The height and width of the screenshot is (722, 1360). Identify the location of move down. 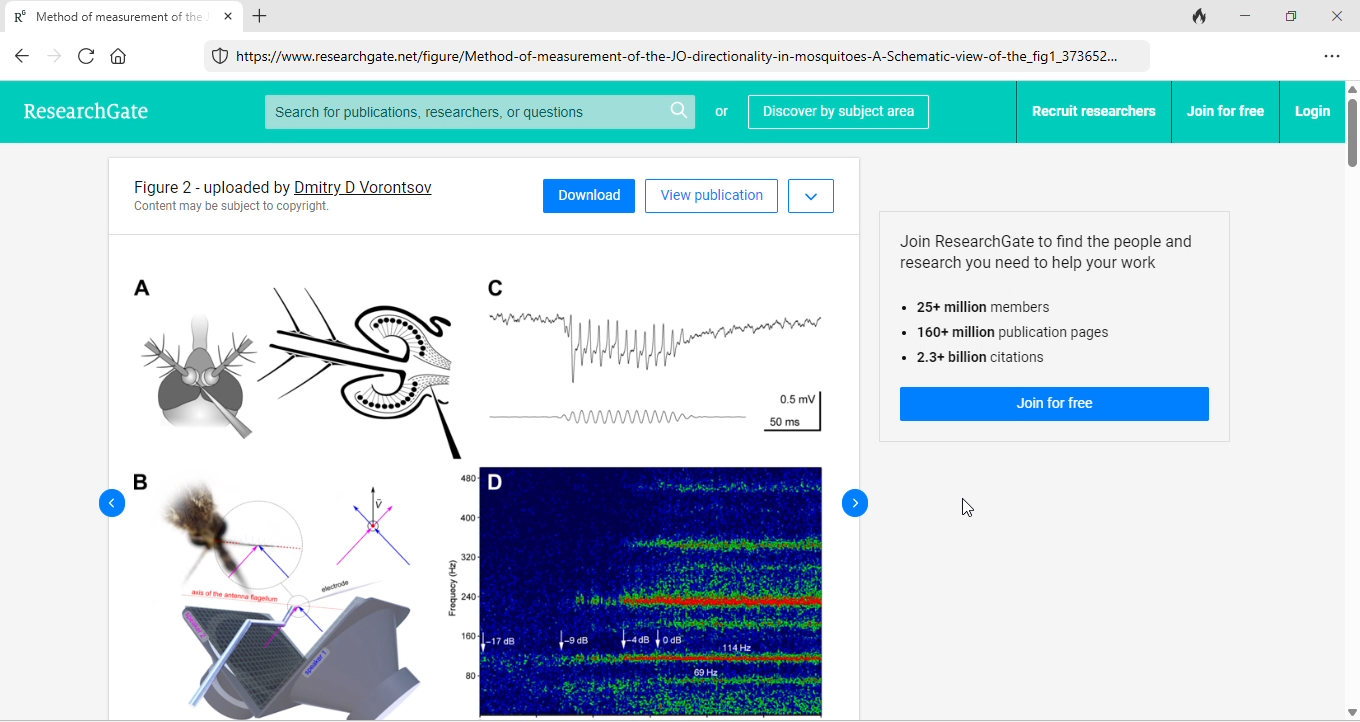
(1352, 711).